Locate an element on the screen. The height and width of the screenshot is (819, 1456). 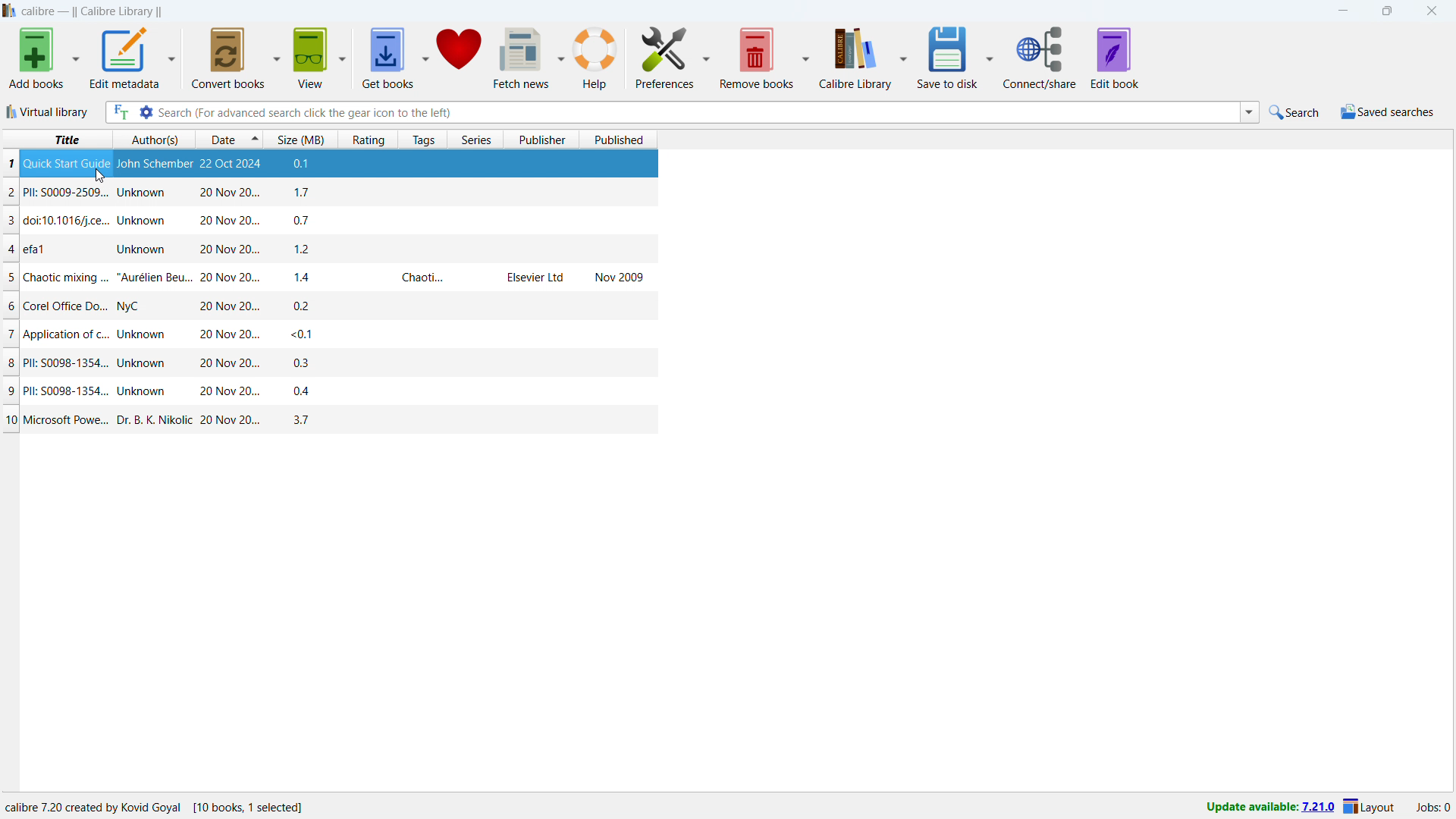
edit metadata is located at coordinates (124, 58).